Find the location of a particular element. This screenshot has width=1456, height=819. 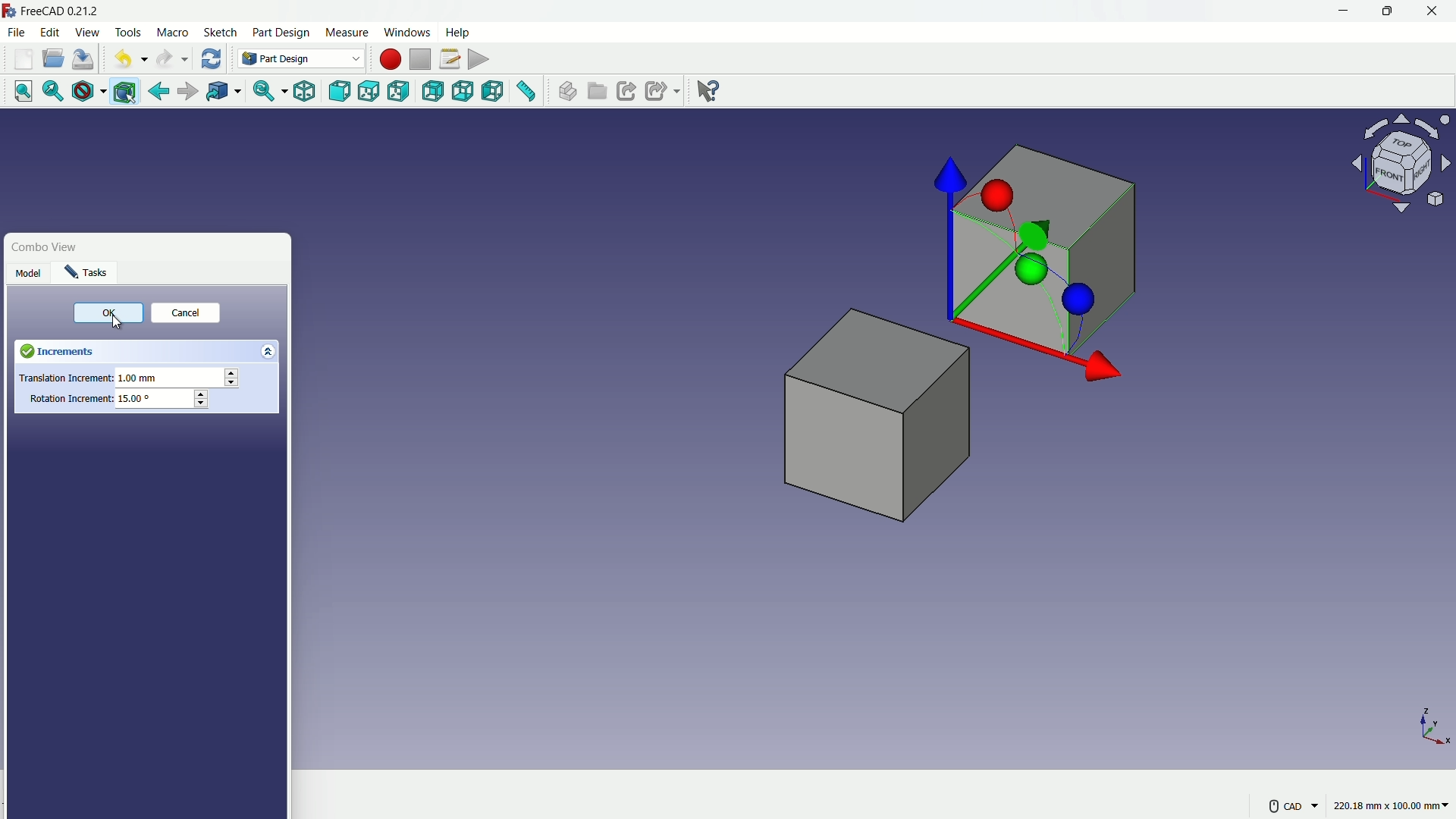

Part Design is located at coordinates (301, 58).